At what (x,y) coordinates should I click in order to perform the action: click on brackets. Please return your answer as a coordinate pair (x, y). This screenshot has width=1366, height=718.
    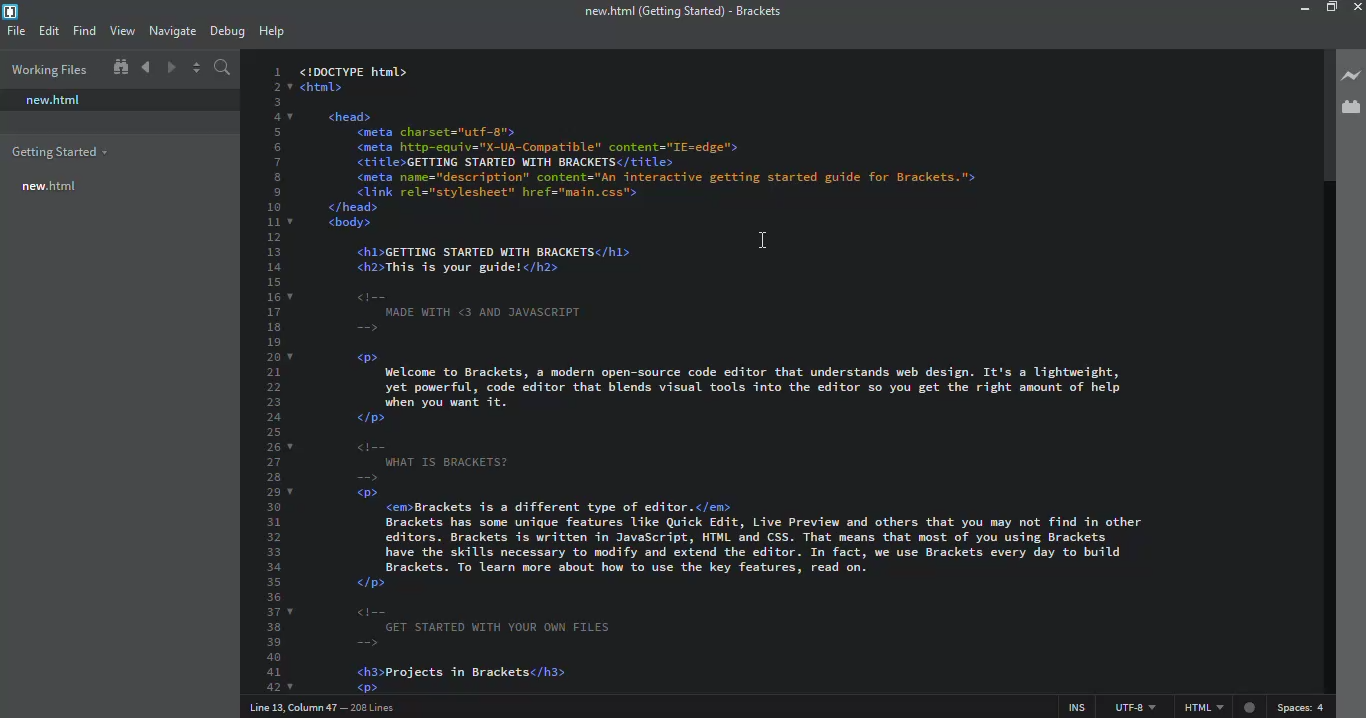
    Looking at the image, I should click on (681, 10).